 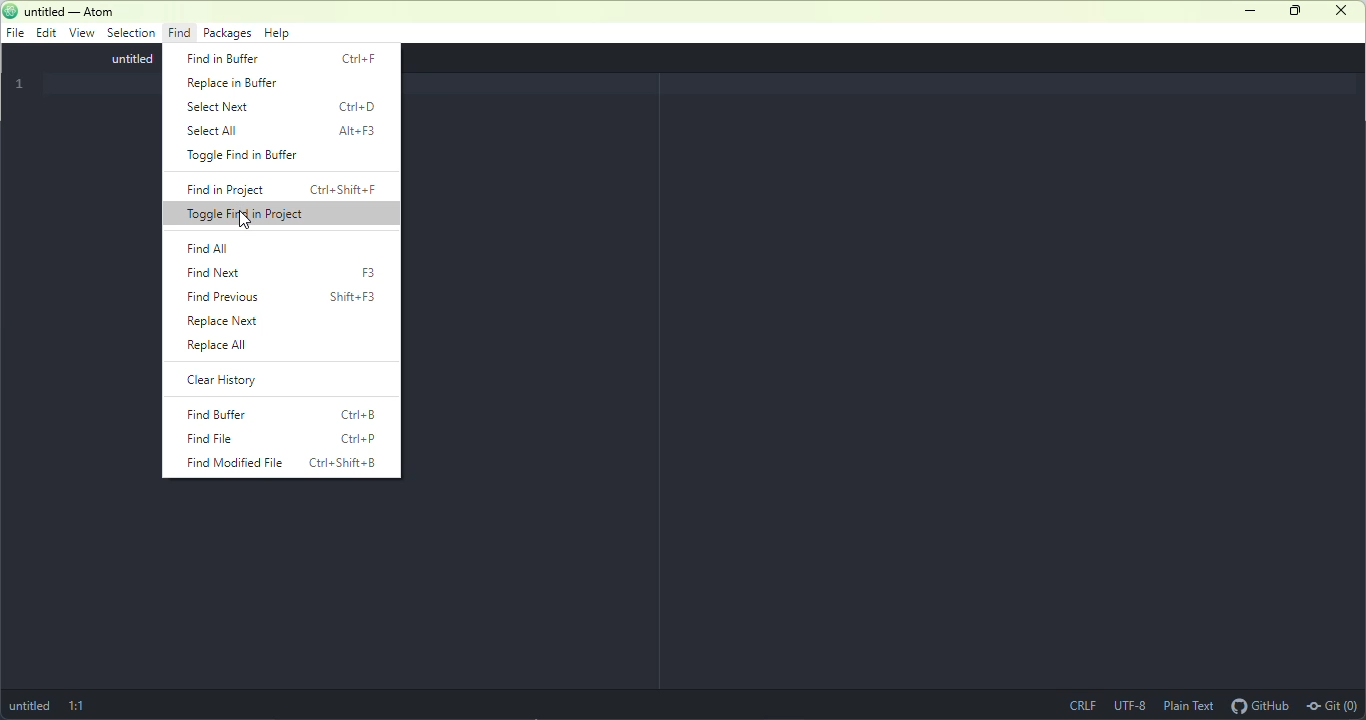 I want to click on atom logo, so click(x=13, y=11).